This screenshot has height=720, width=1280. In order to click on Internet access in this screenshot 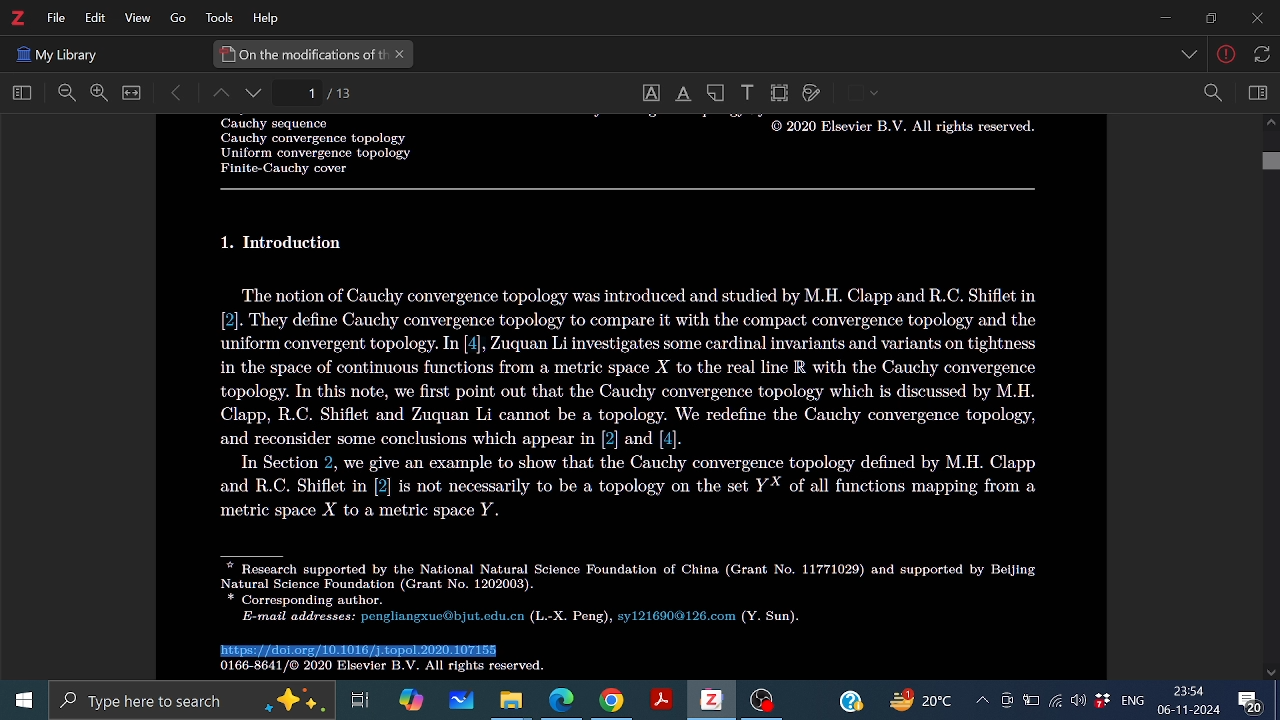, I will do `click(1056, 701)`.